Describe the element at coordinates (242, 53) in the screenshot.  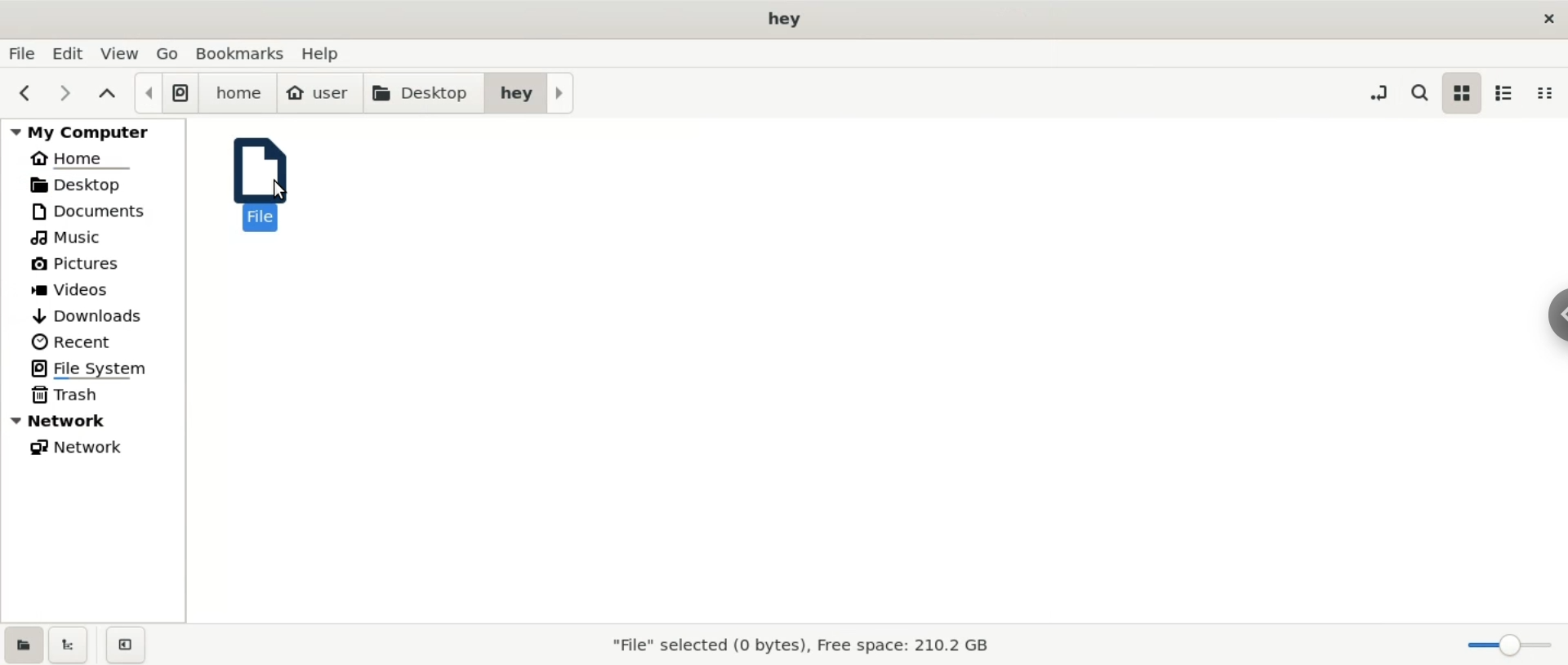
I see `bookmark` at that location.